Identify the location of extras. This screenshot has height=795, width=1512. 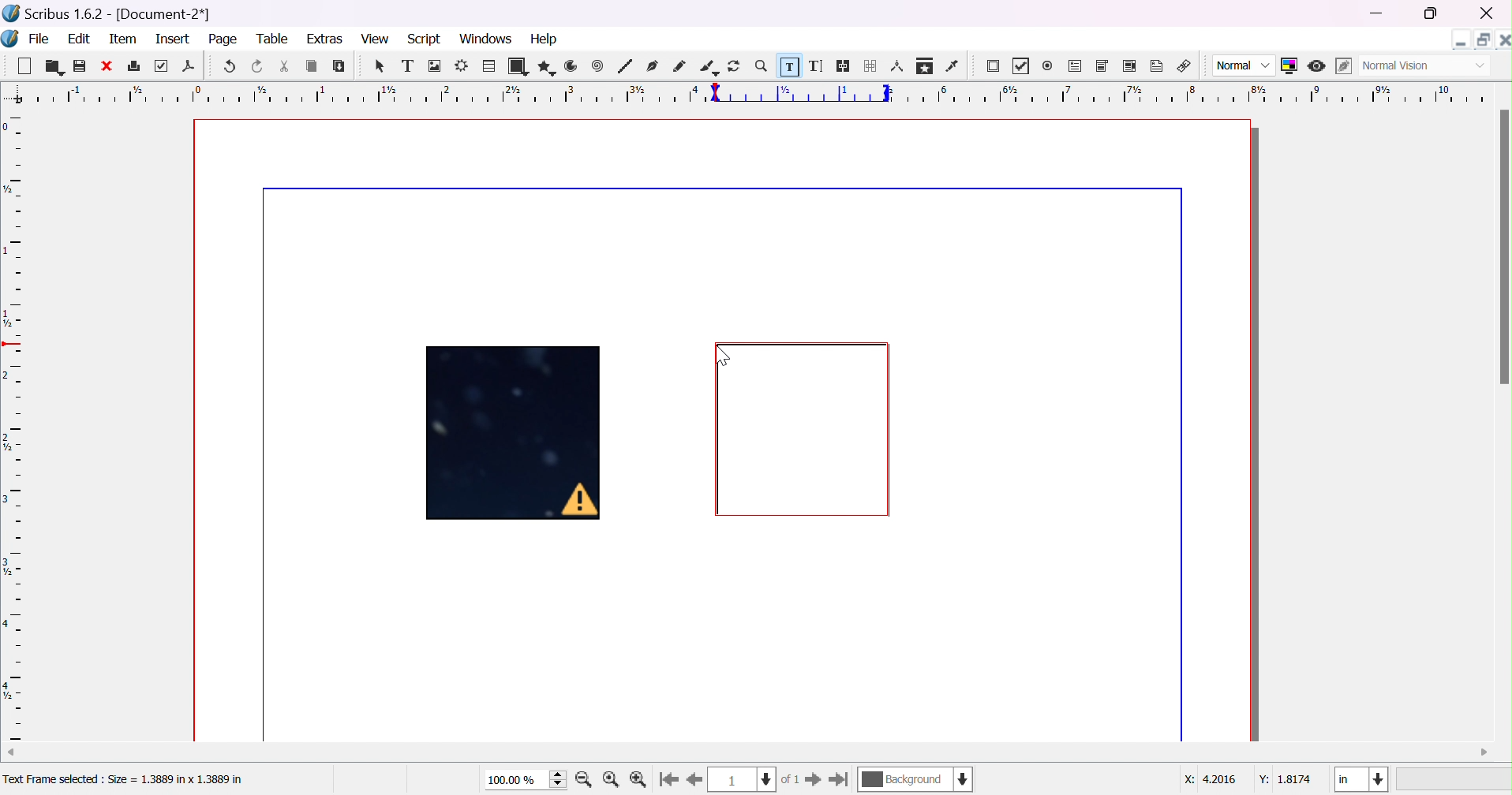
(325, 39).